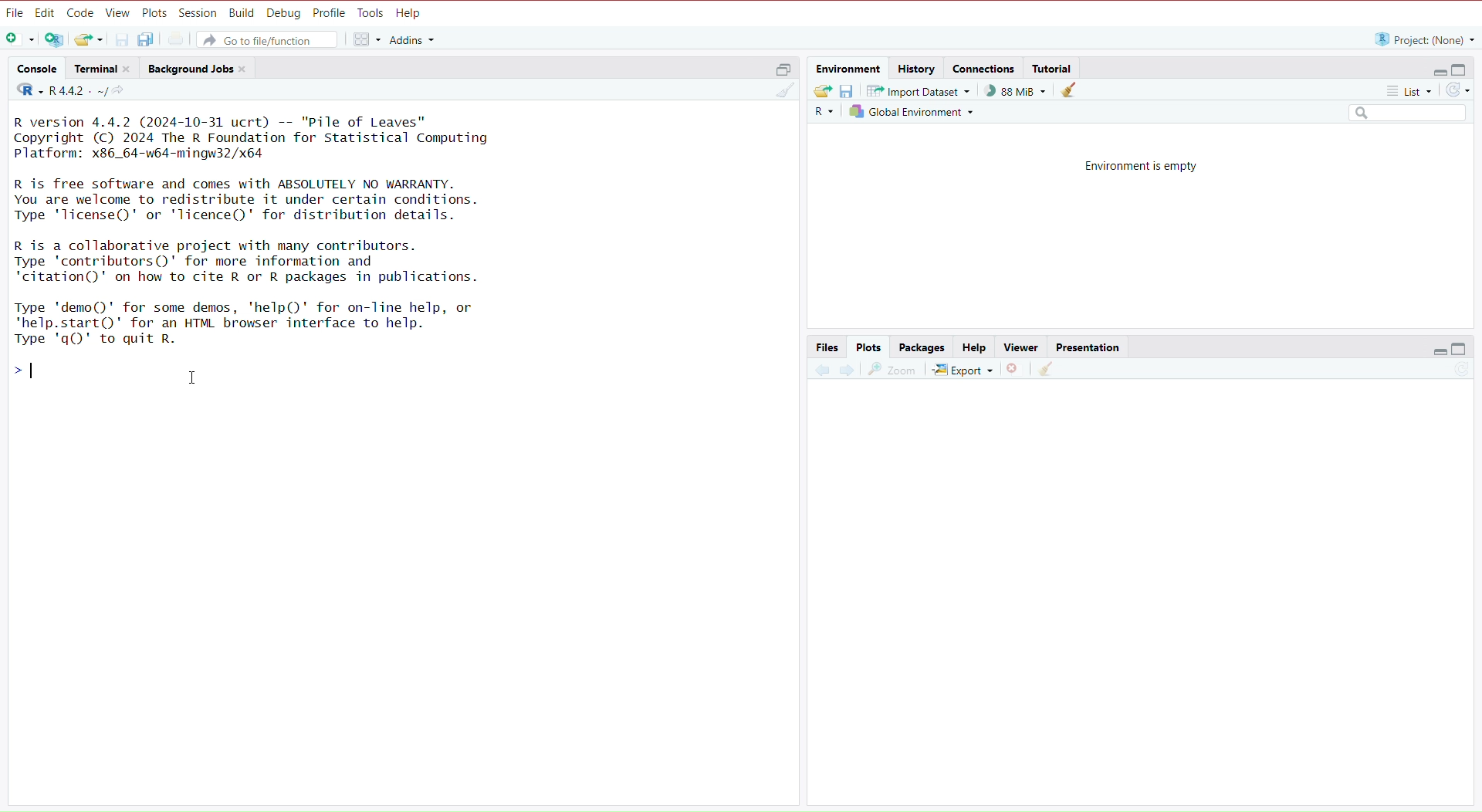  I want to click on History, so click(917, 67).